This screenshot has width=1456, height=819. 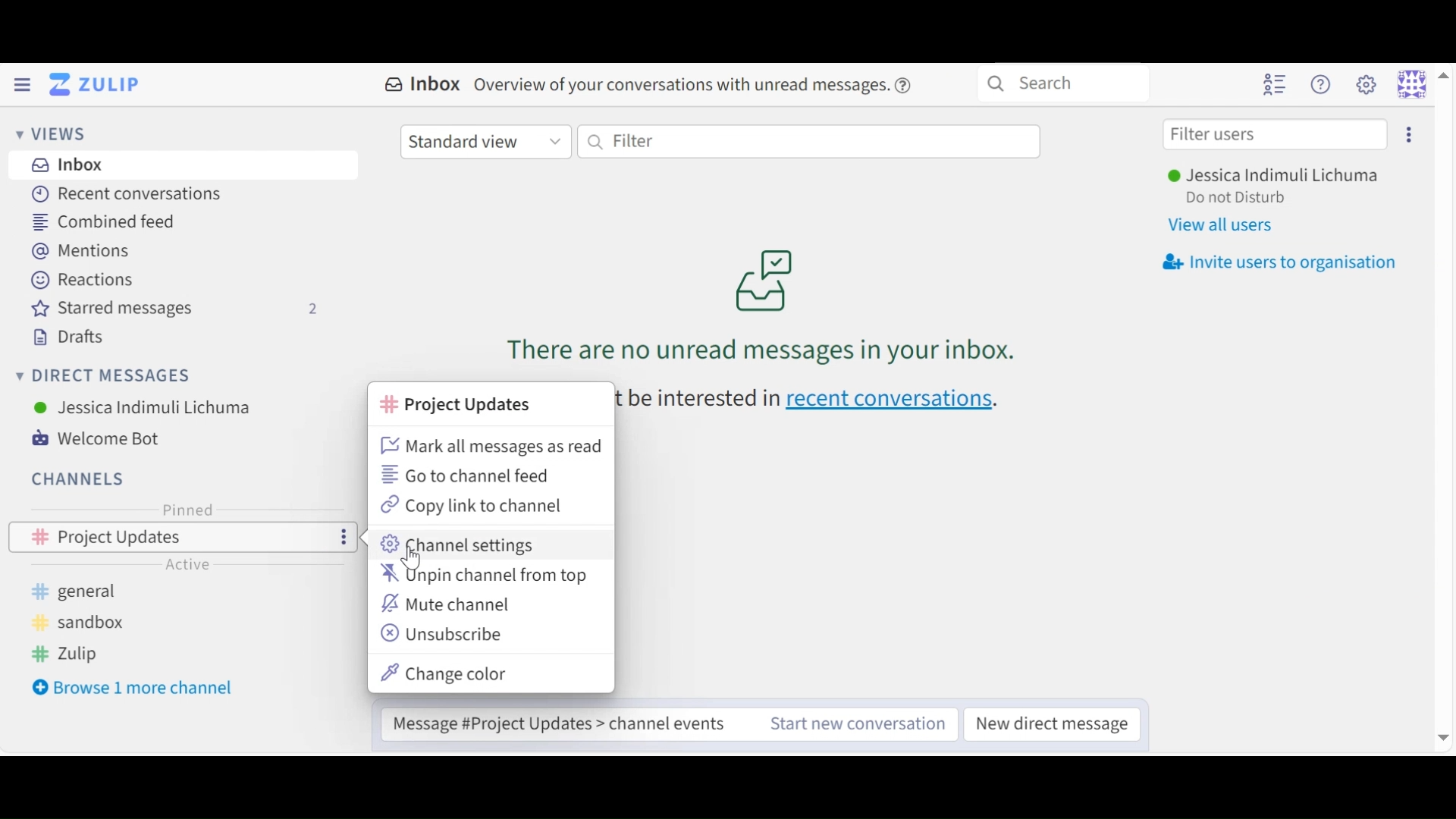 What do you see at coordinates (1323, 83) in the screenshot?
I see `Help menu` at bounding box center [1323, 83].